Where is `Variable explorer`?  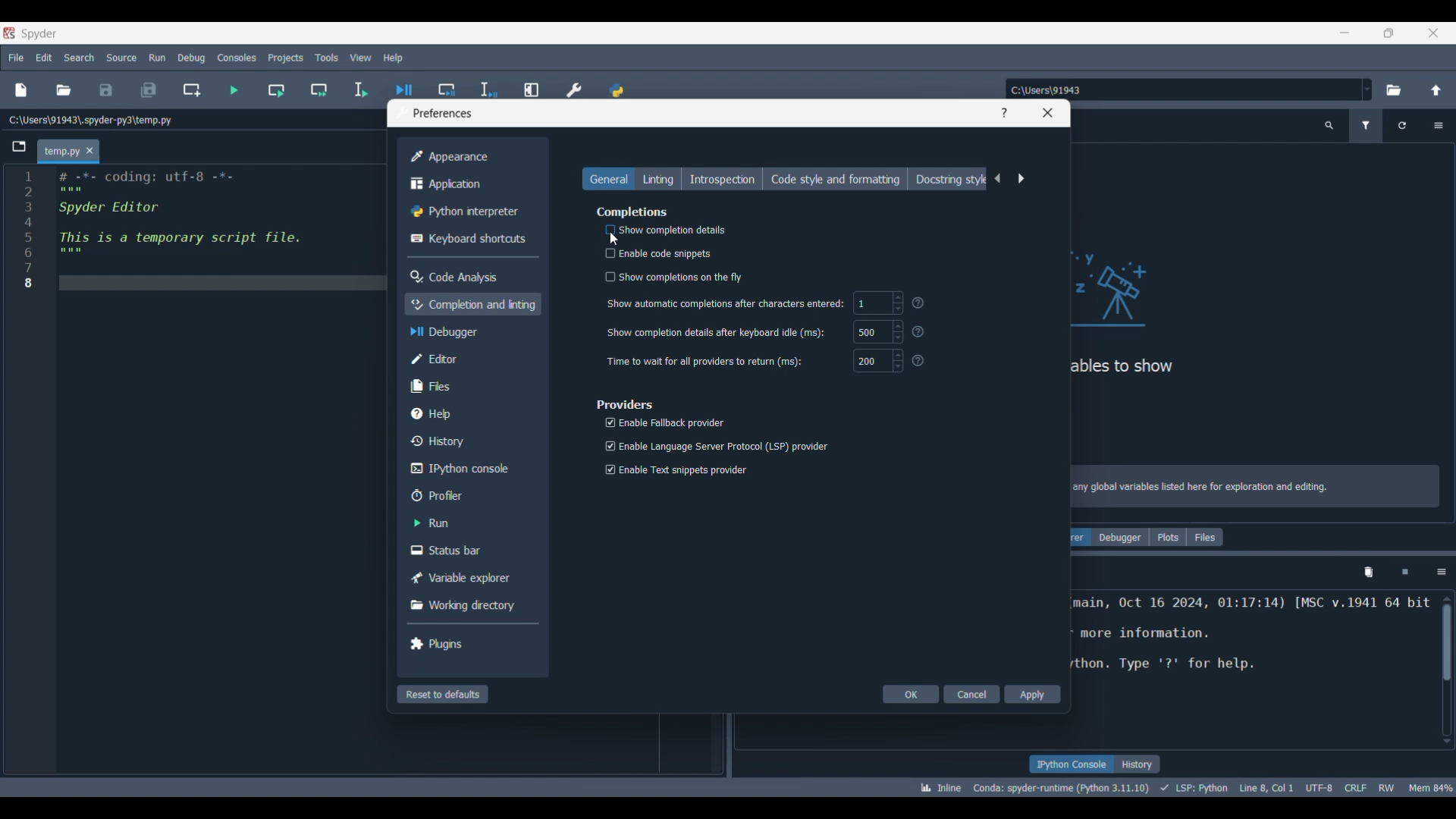 Variable explorer is located at coordinates (469, 578).